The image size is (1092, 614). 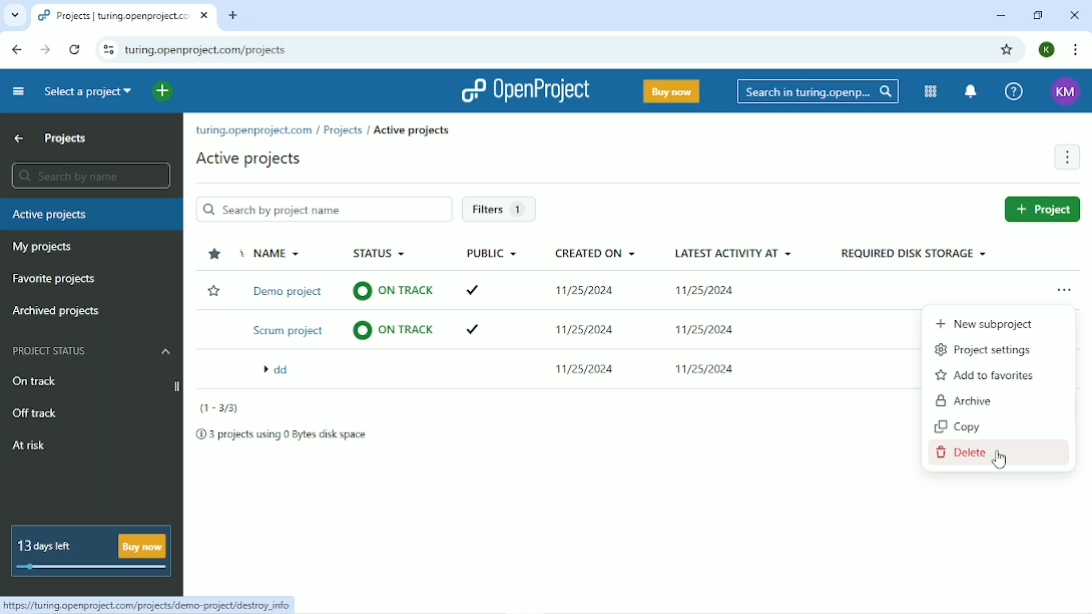 What do you see at coordinates (15, 16) in the screenshot?
I see `Search tabs` at bounding box center [15, 16].